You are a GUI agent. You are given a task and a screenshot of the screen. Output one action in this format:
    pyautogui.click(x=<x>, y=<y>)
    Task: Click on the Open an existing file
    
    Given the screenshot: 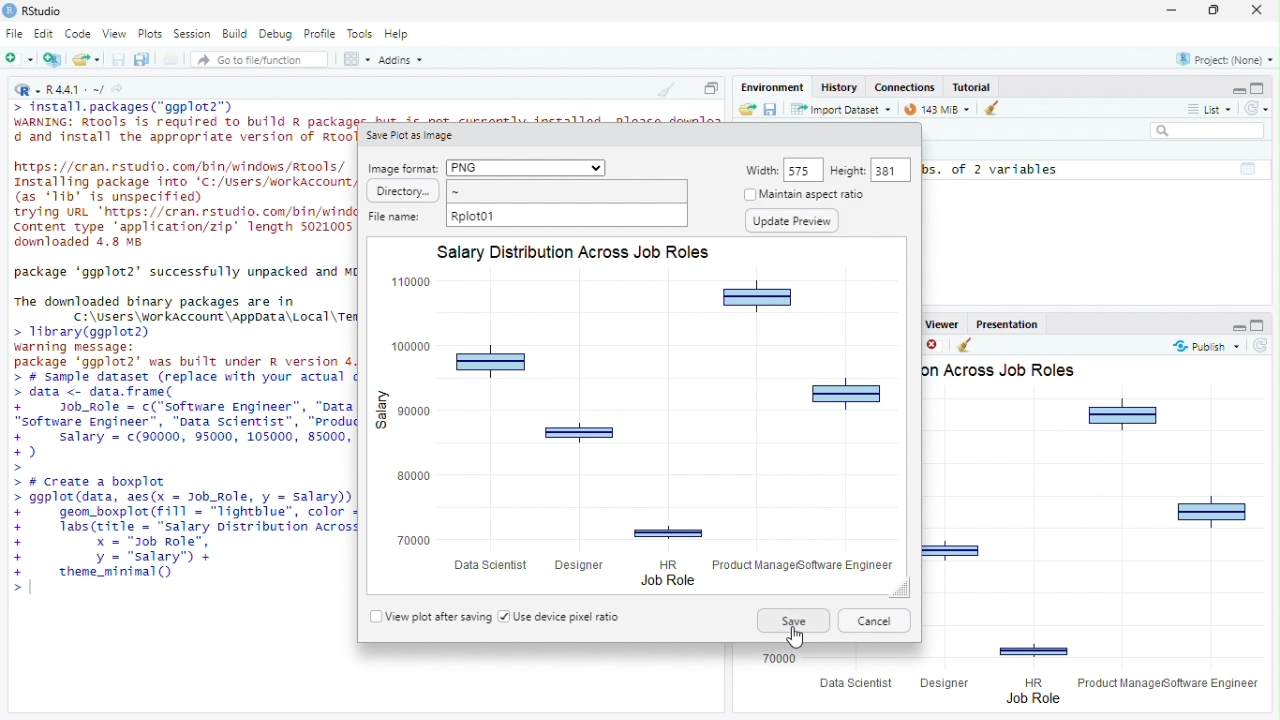 What is the action you would take?
    pyautogui.click(x=86, y=58)
    